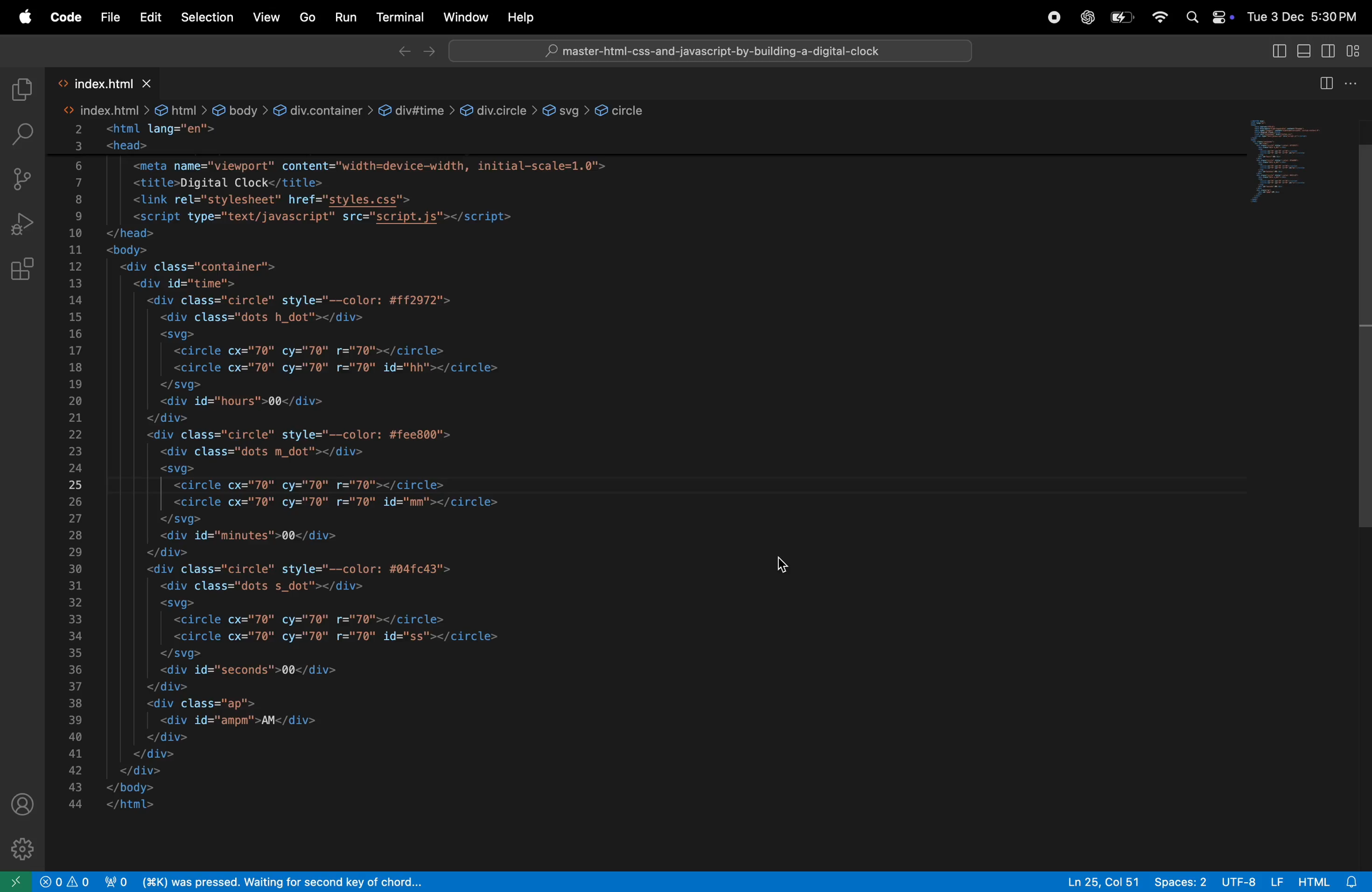 The image size is (1372, 892). Describe the element at coordinates (20, 803) in the screenshot. I see `profile` at that location.